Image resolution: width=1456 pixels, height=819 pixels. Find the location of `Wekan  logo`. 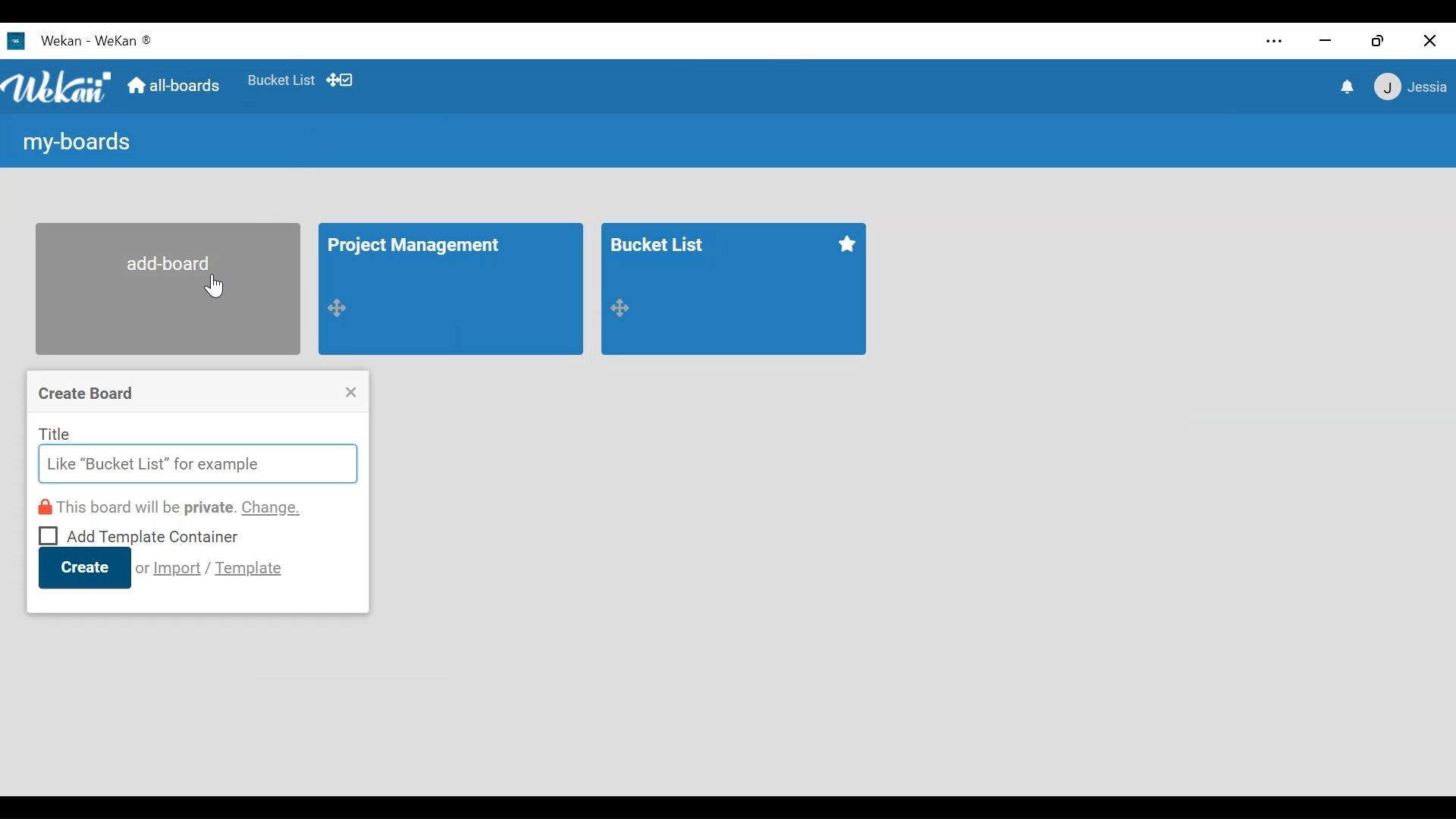

Wekan  logo is located at coordinates (58, 87).